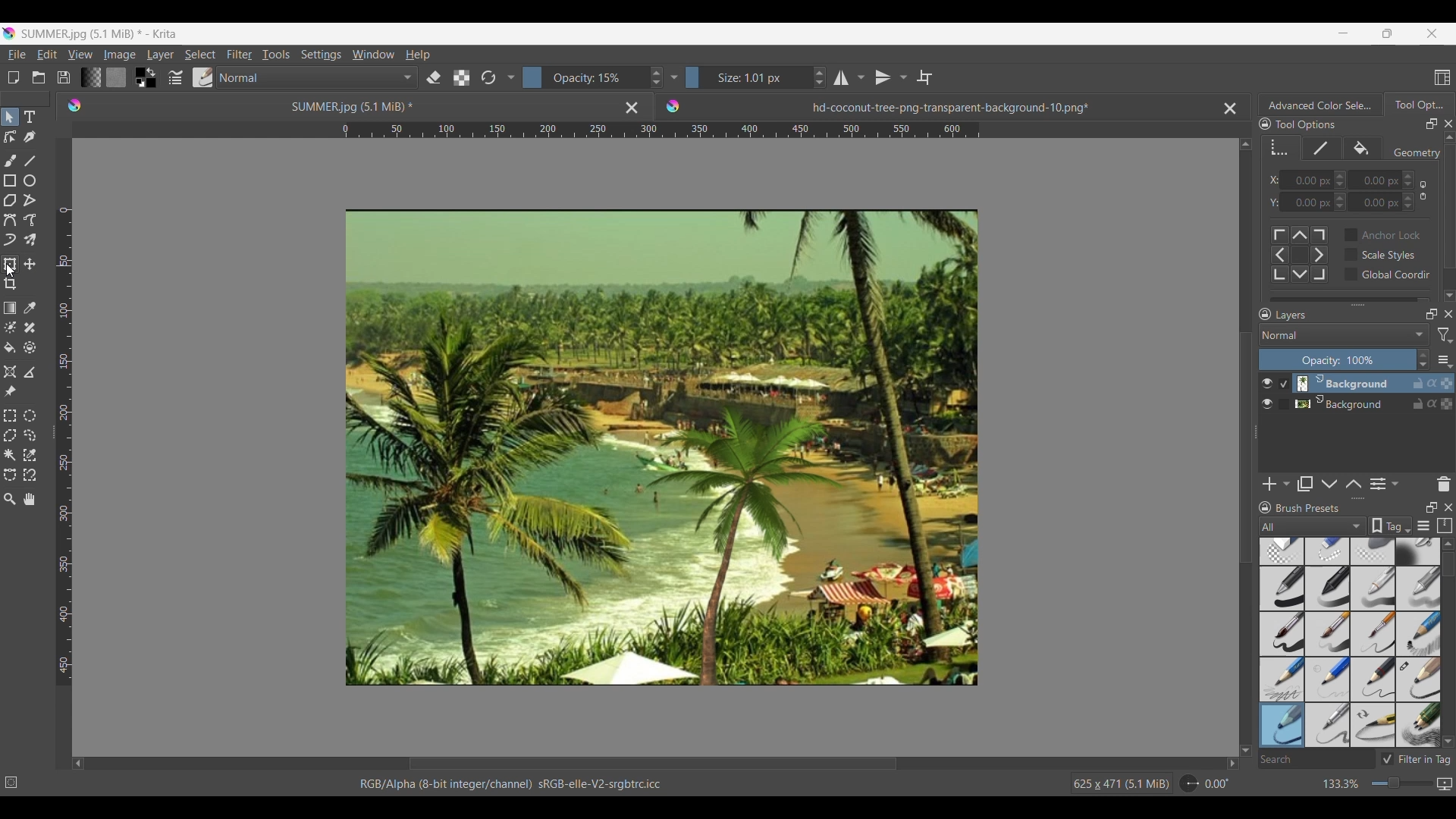 This screenshot has height=819, width=1456. What do you see at coordinates (30, 199) in the screenshot?
I see `Polyline tool` at bounding box center [30, 199].